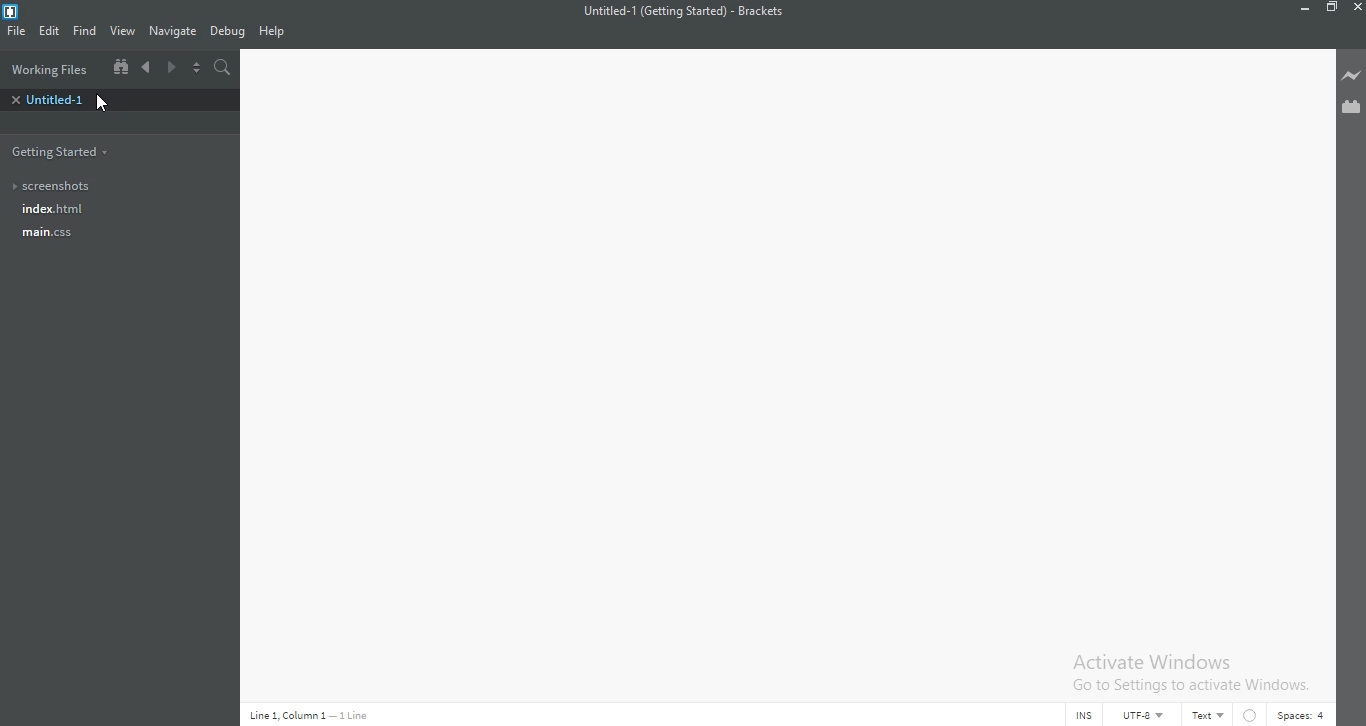  What do you see at coordinates (124, 32) in the screenshot?
I see `View` at bounding box center [124, 32].